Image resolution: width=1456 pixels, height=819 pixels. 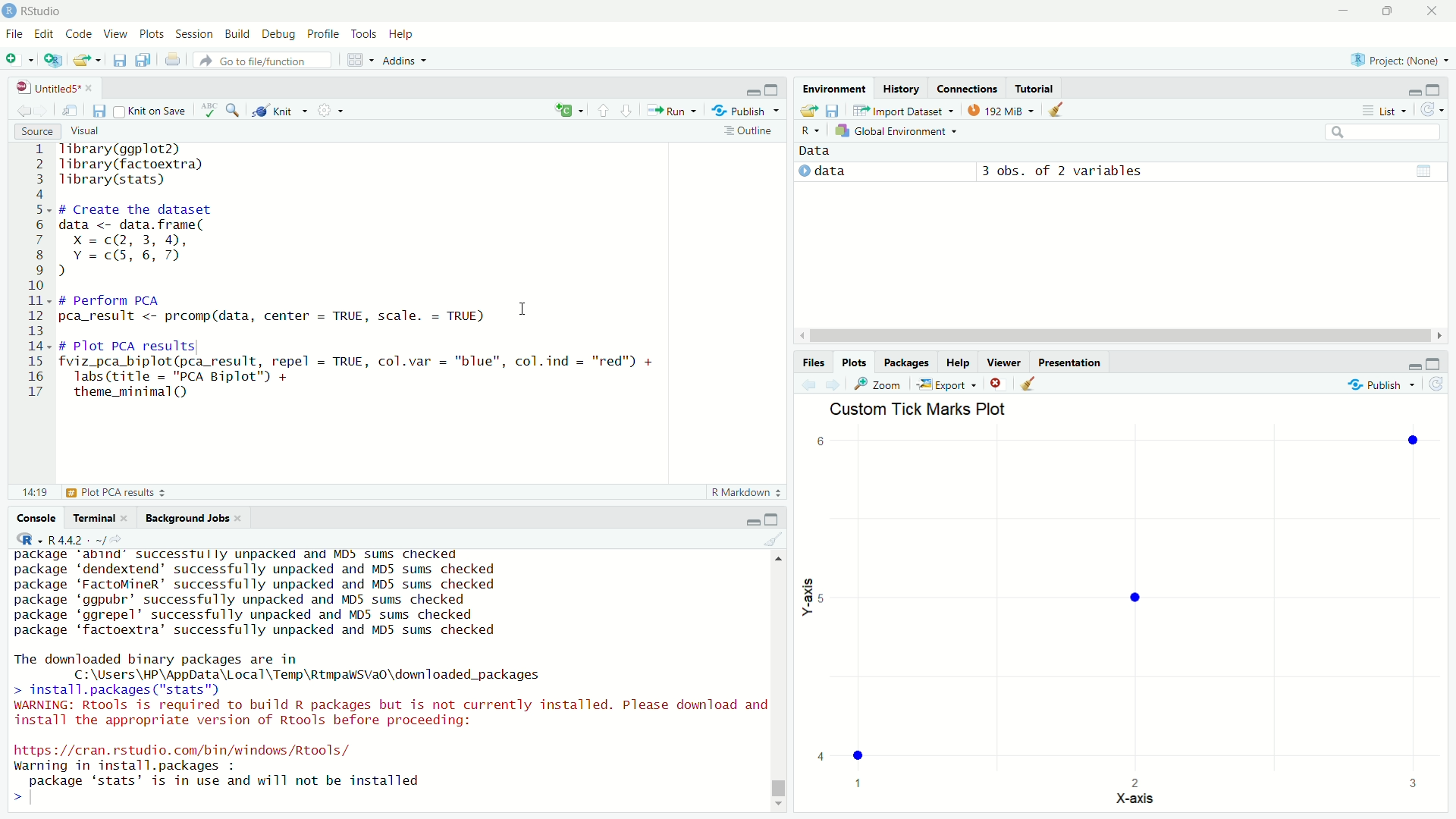 I want to click on Presentation, so click(x=1070, y=362).